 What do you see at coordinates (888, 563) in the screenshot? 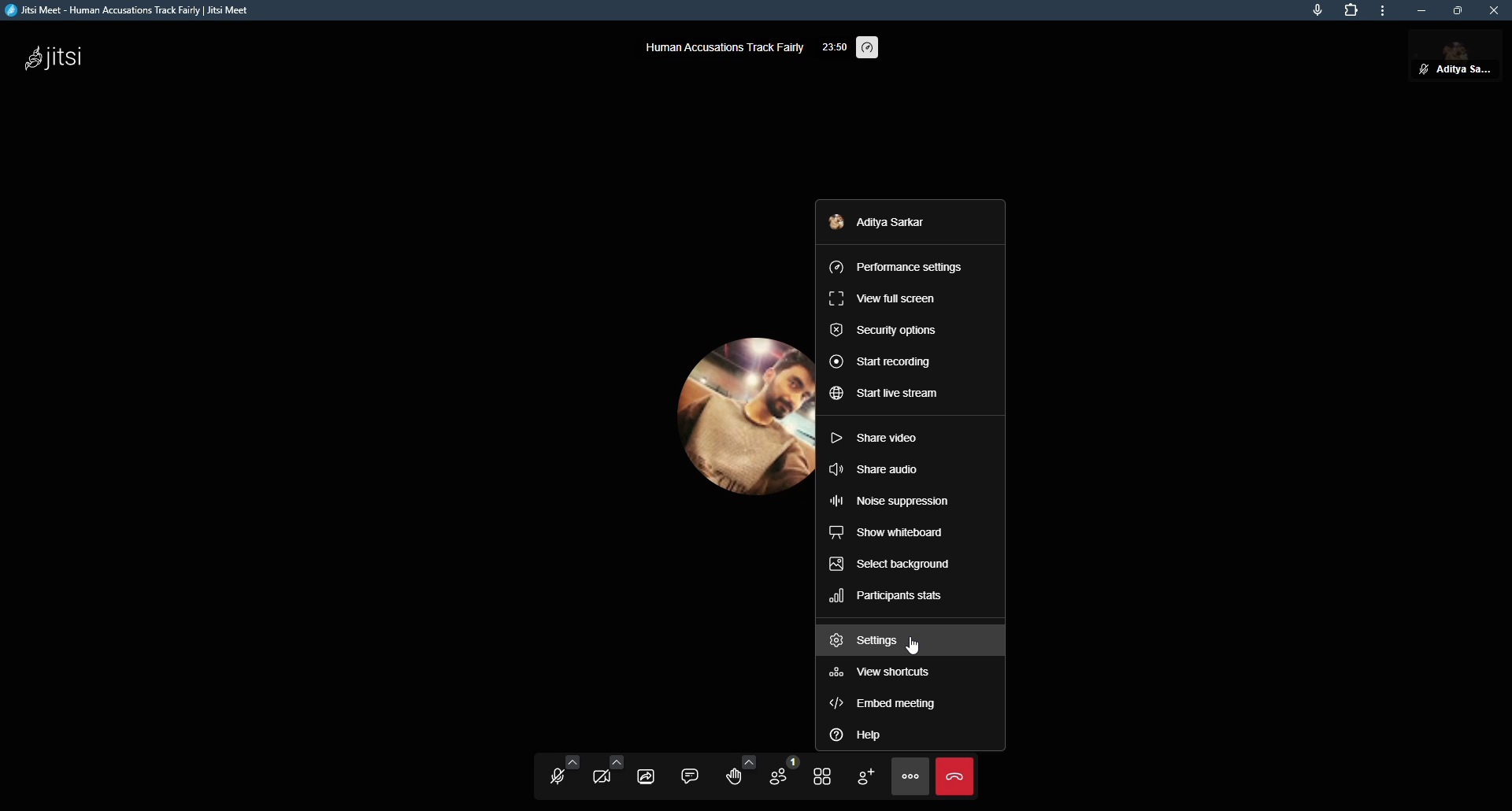
I see `select background` at bounding box center [888, 563].